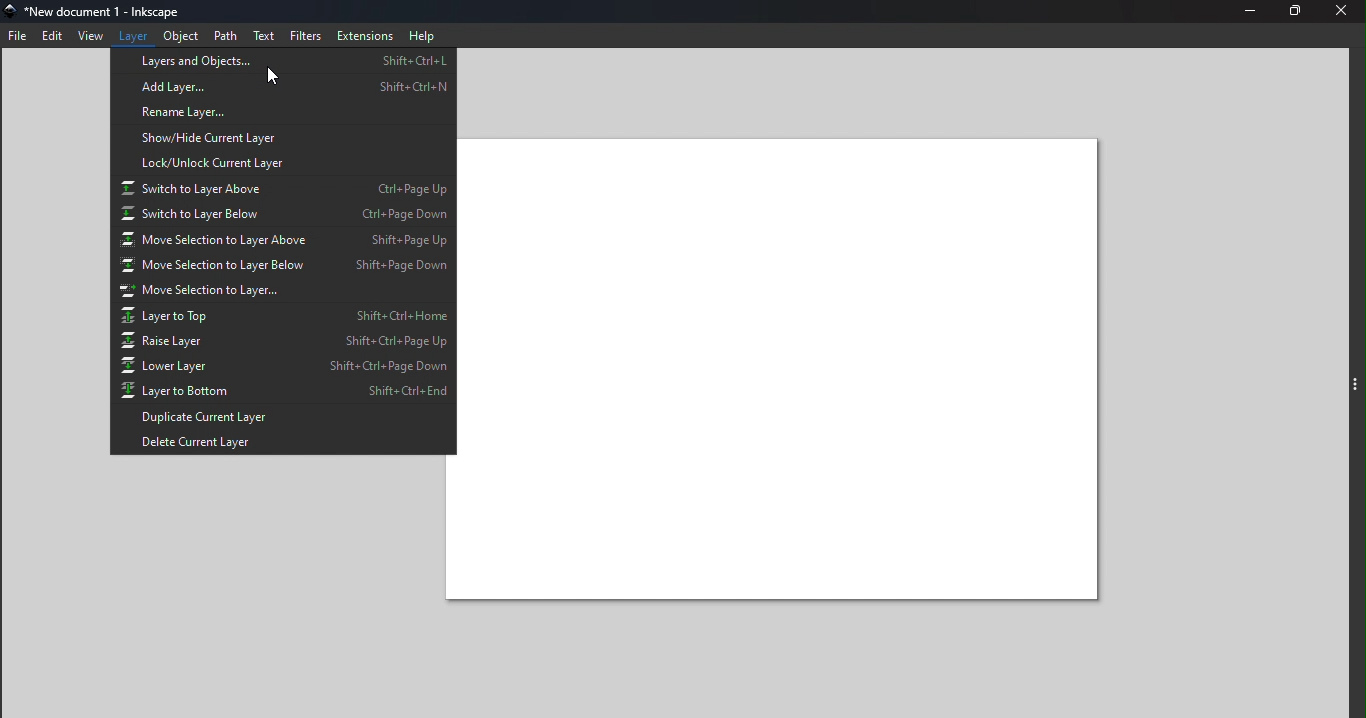  I want to click on Add layer, so click(281, 89).